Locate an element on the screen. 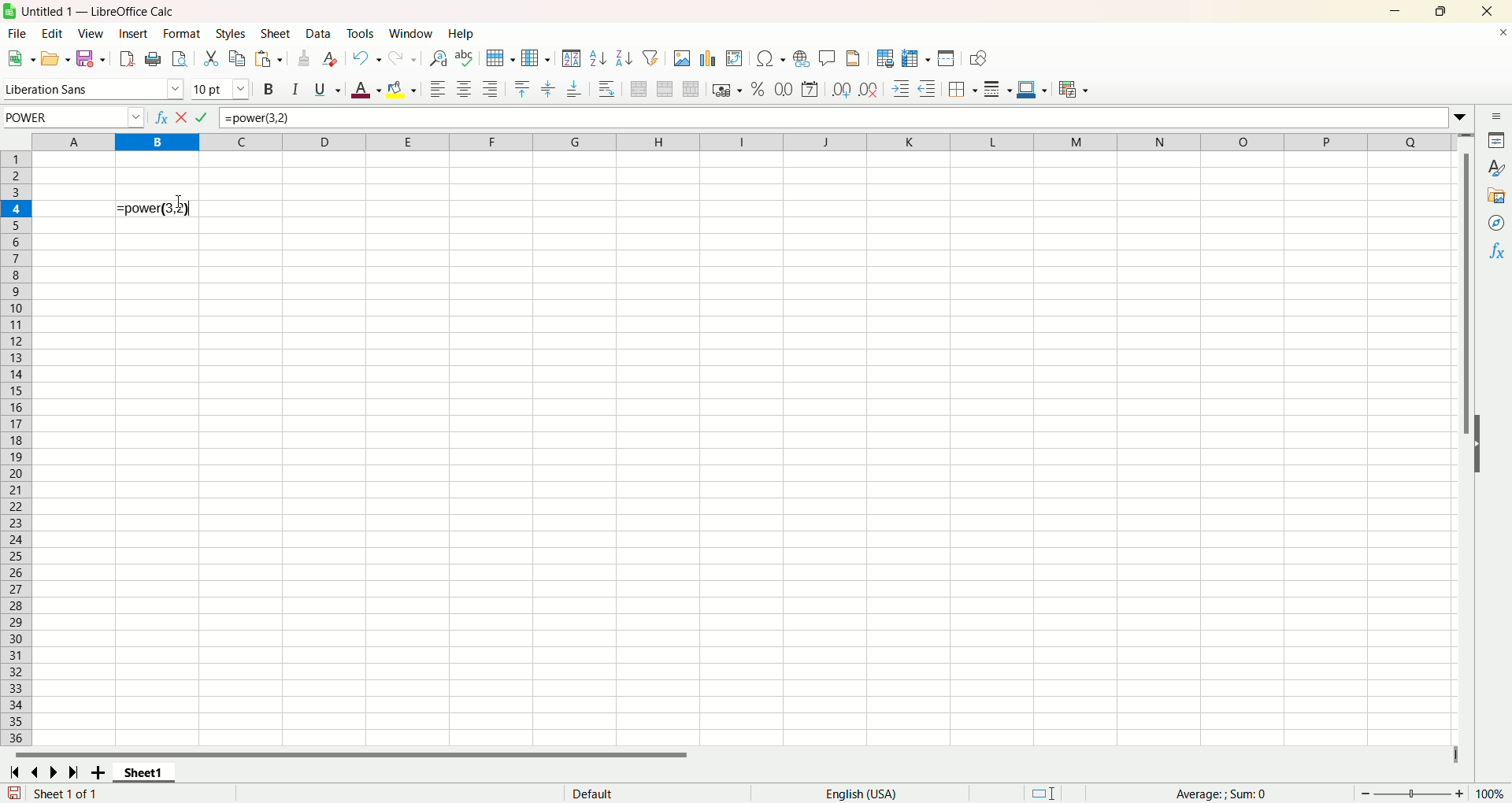 The height and width of the screenshot is (803, 1512). increase indent is located at coordinates (903, 90).